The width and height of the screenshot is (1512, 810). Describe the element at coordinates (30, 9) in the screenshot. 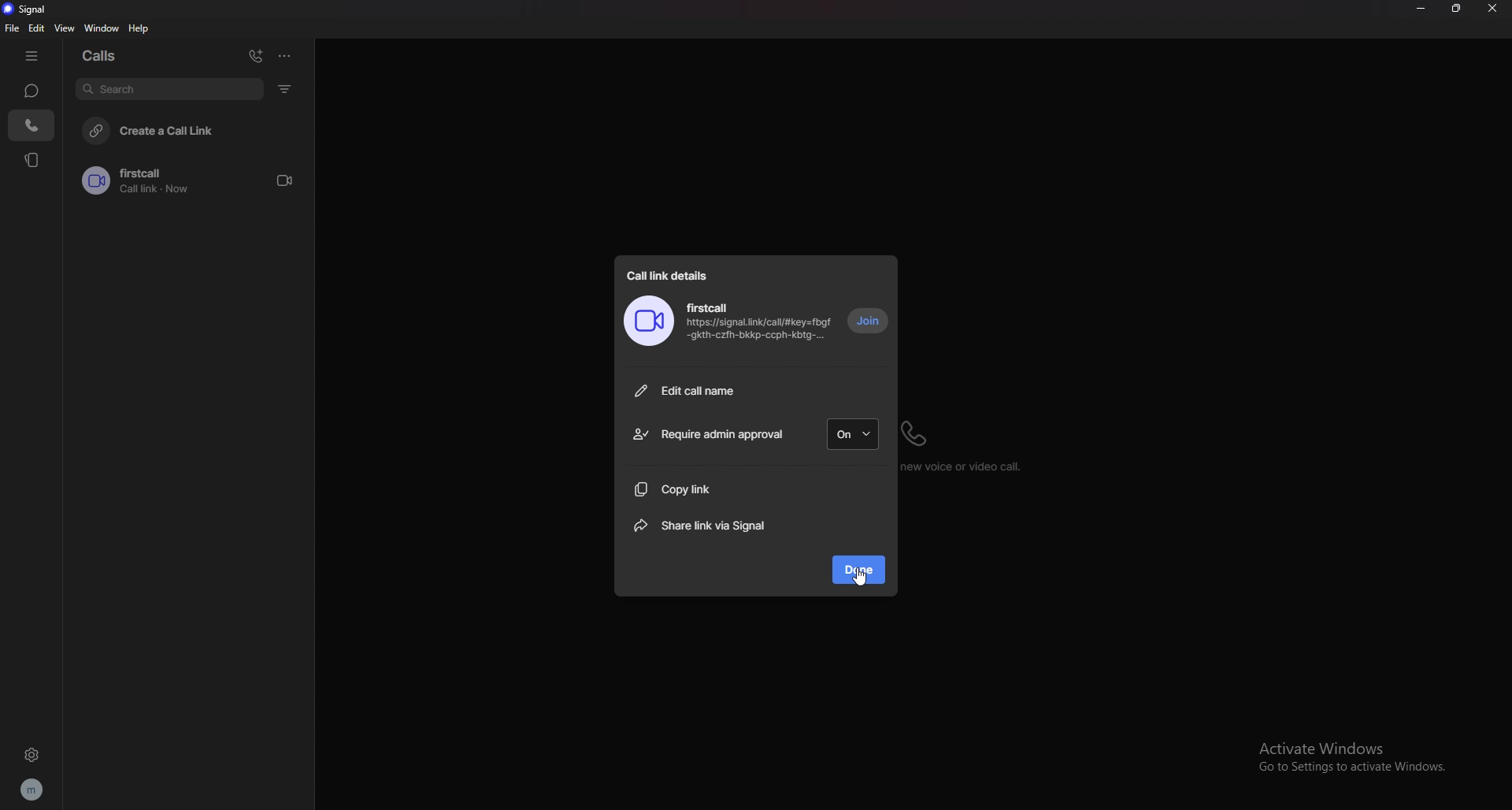

I see `signal` at that location.